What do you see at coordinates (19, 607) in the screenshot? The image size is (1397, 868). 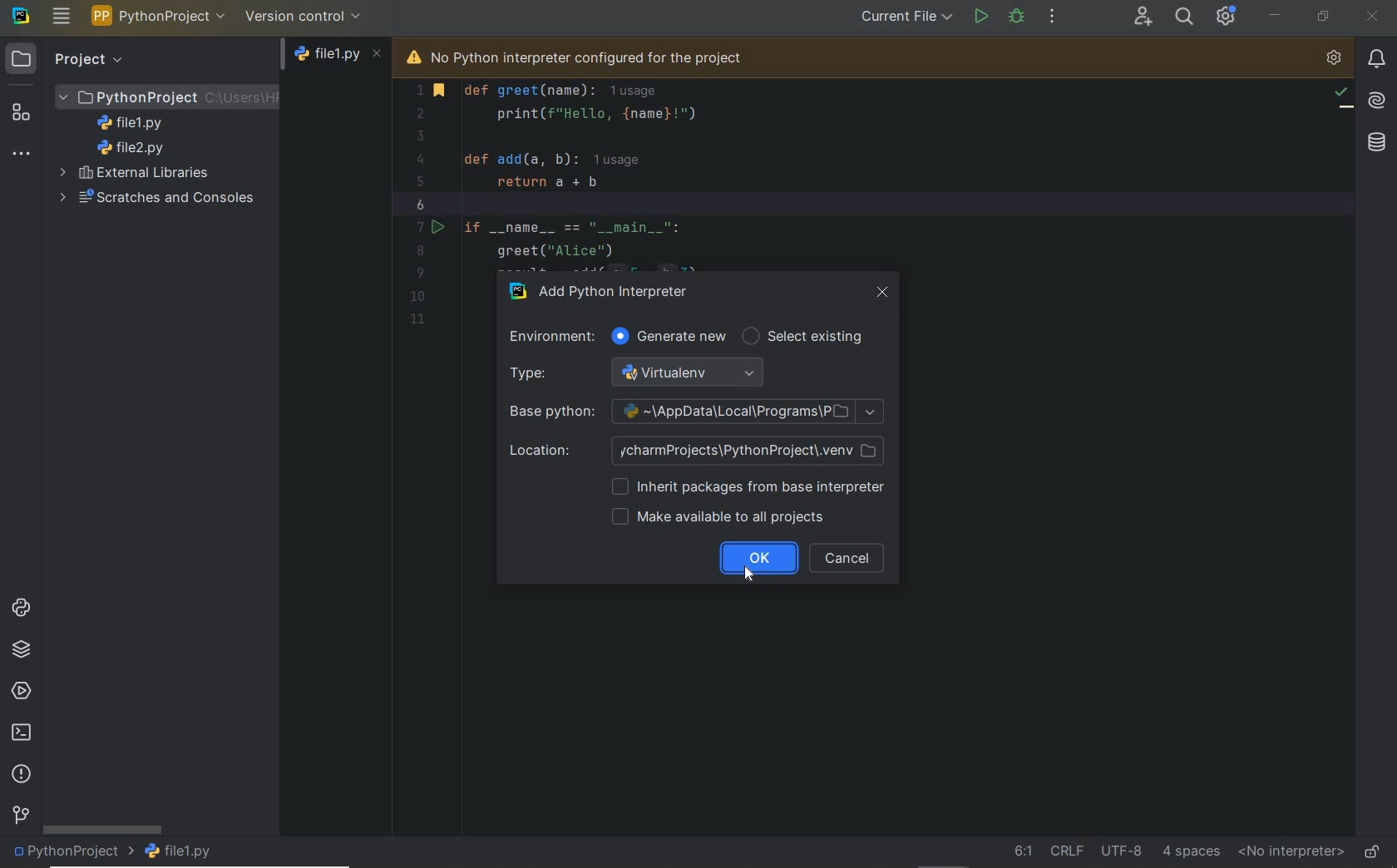 I see `python consoles` at bounding box center [19, 607].